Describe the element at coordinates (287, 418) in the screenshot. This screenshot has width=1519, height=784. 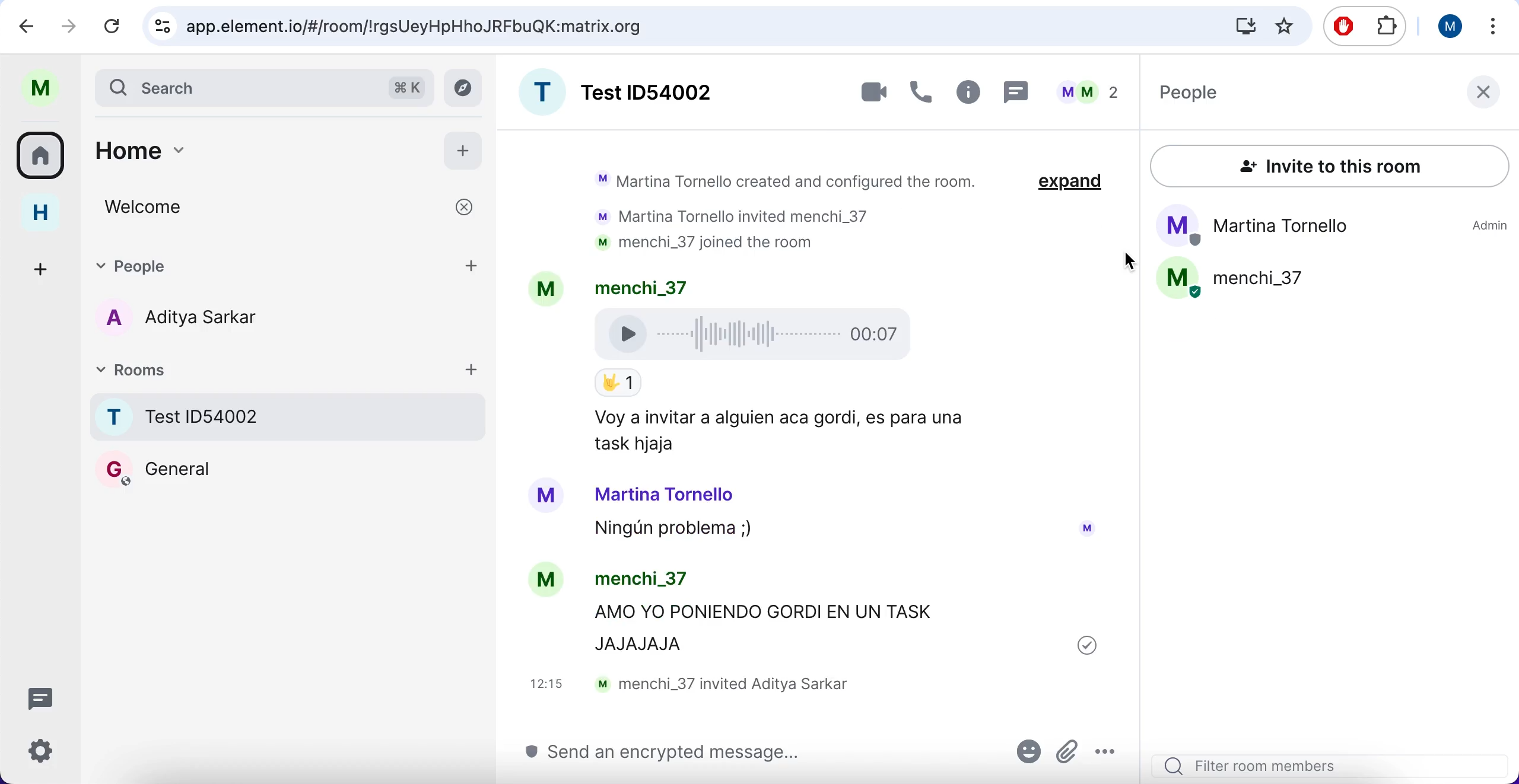
I see `rooms` at that location.